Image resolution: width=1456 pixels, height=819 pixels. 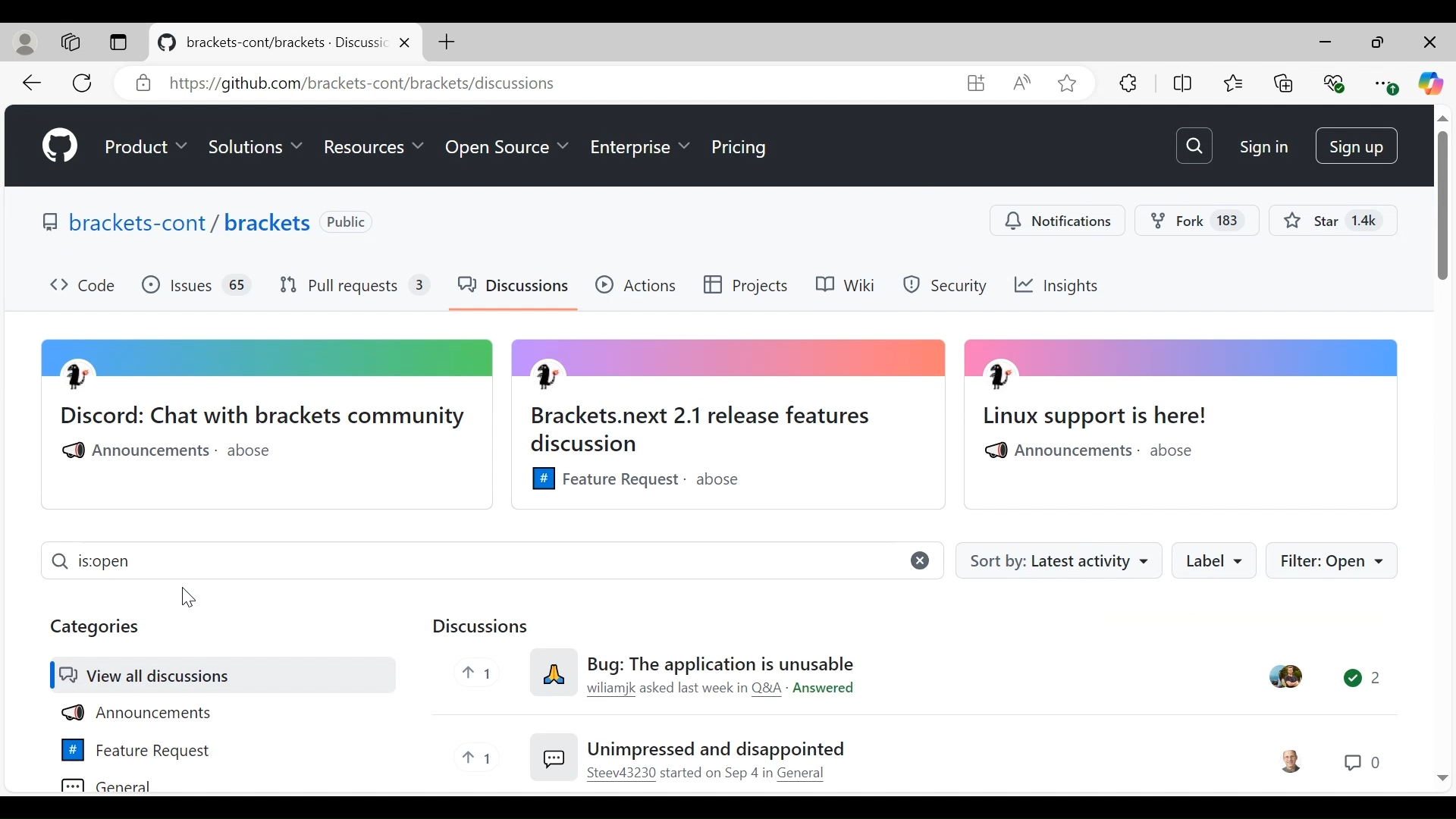 I want to click on Announcements . abose, so click(x=166, y=451).